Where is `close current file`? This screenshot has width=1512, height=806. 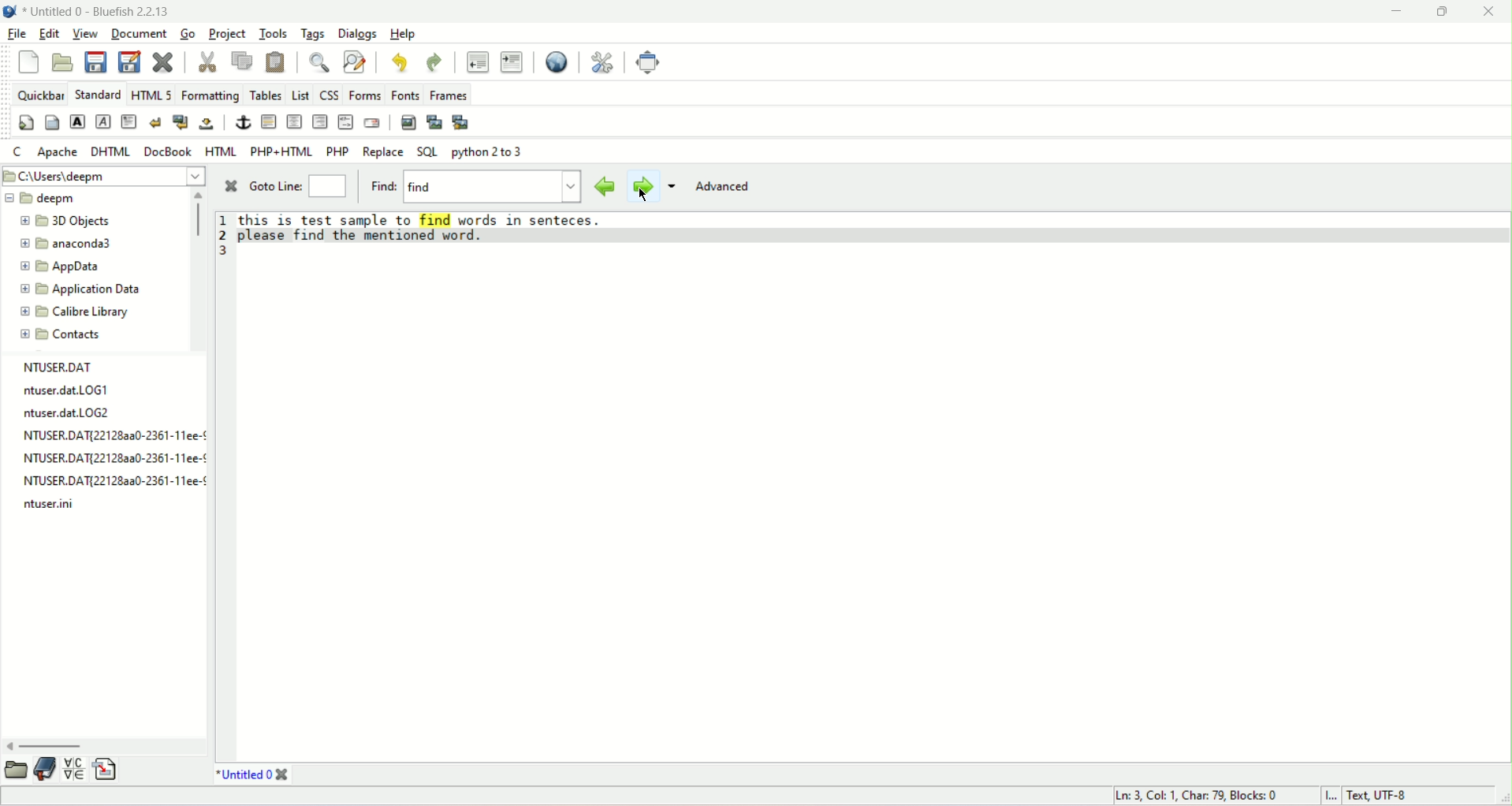 close current file is located at coordinates (163, 61).